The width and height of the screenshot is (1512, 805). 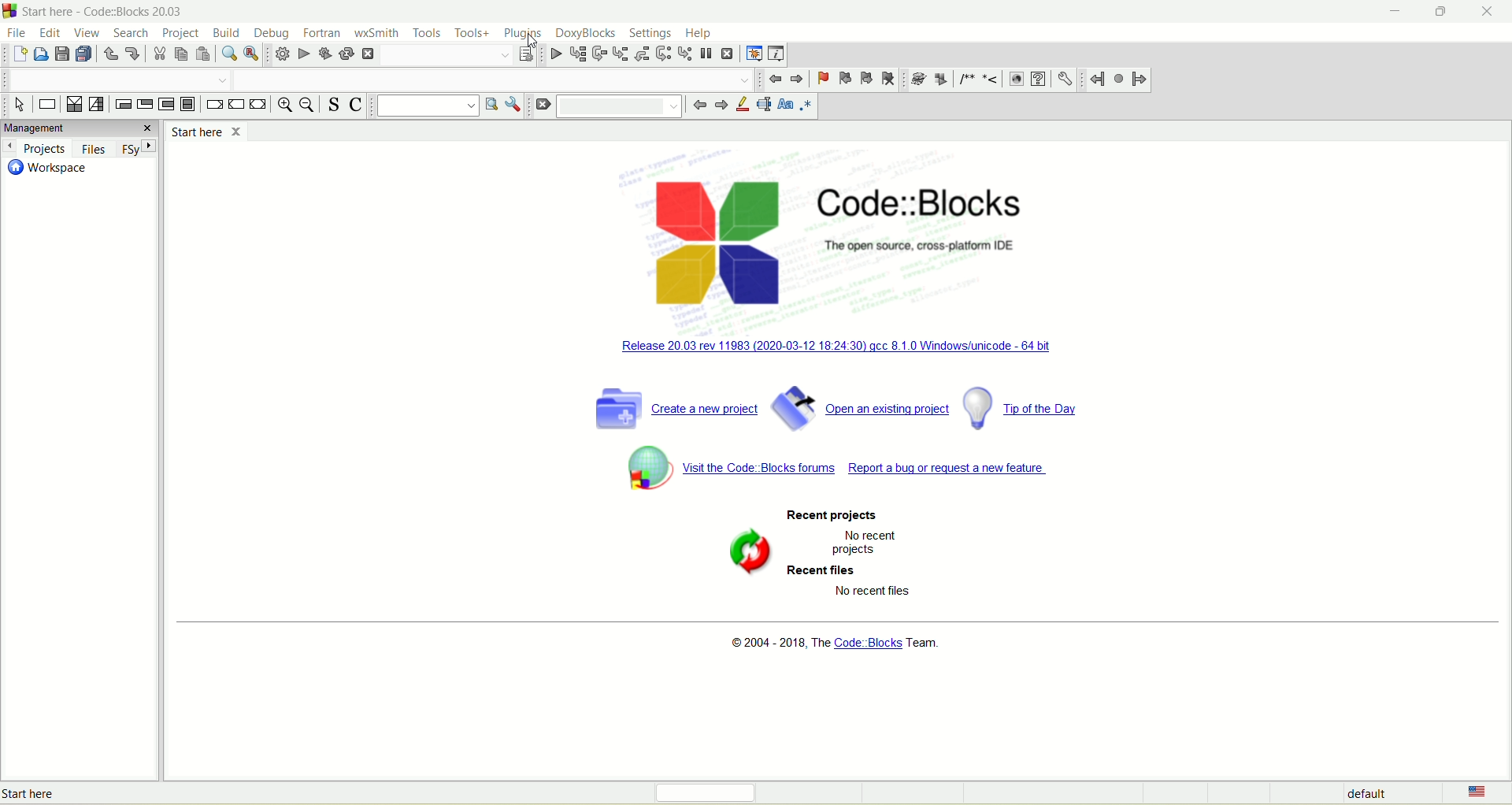 I want to click on step into, so click(x=620, y=53).